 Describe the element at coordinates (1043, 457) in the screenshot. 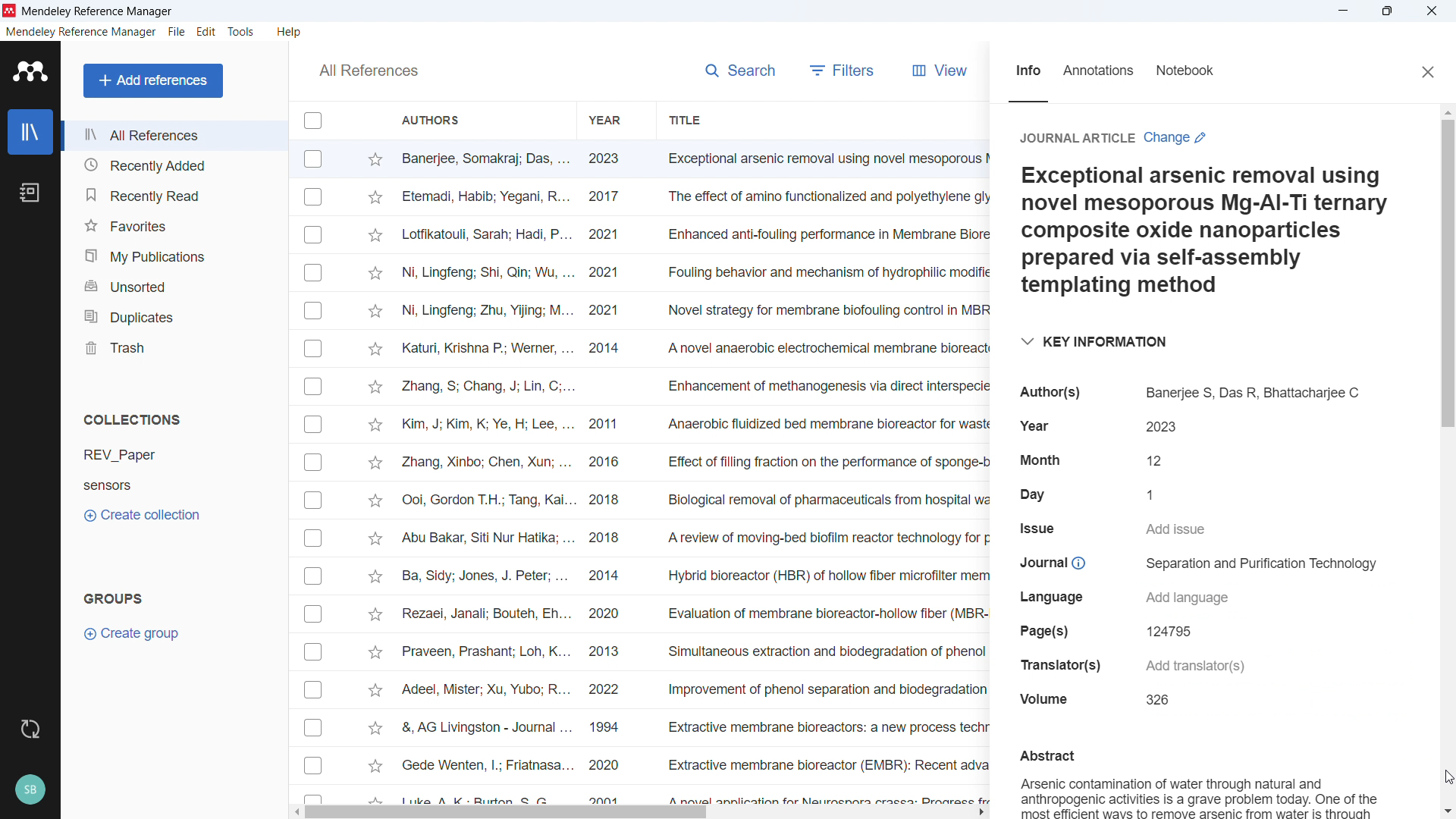

I see `month` at that location.